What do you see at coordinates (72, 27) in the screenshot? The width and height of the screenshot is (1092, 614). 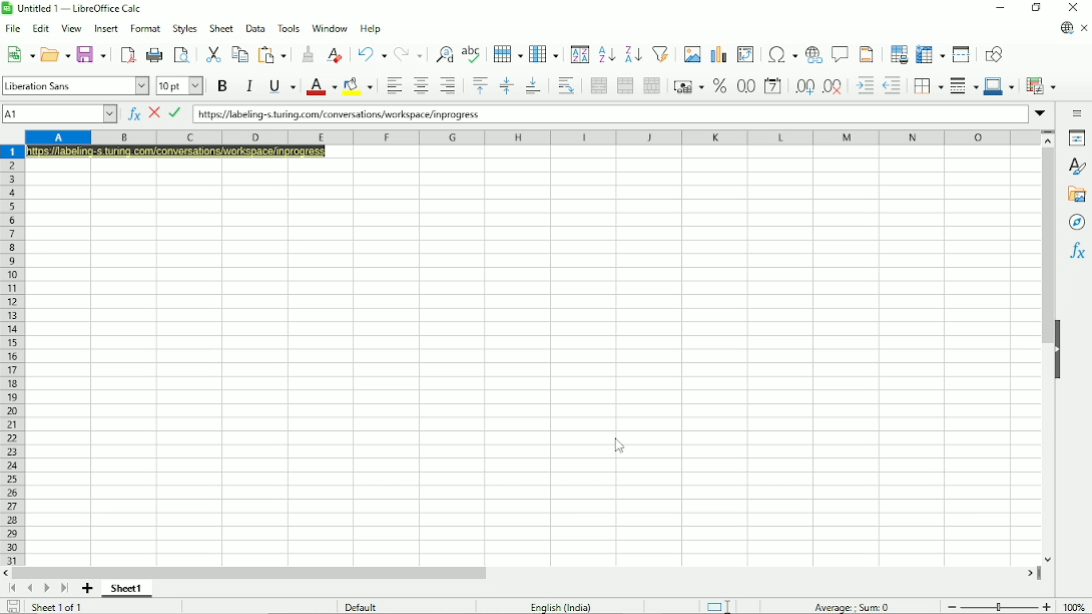 I see `view` at bounding box center [72, 27].